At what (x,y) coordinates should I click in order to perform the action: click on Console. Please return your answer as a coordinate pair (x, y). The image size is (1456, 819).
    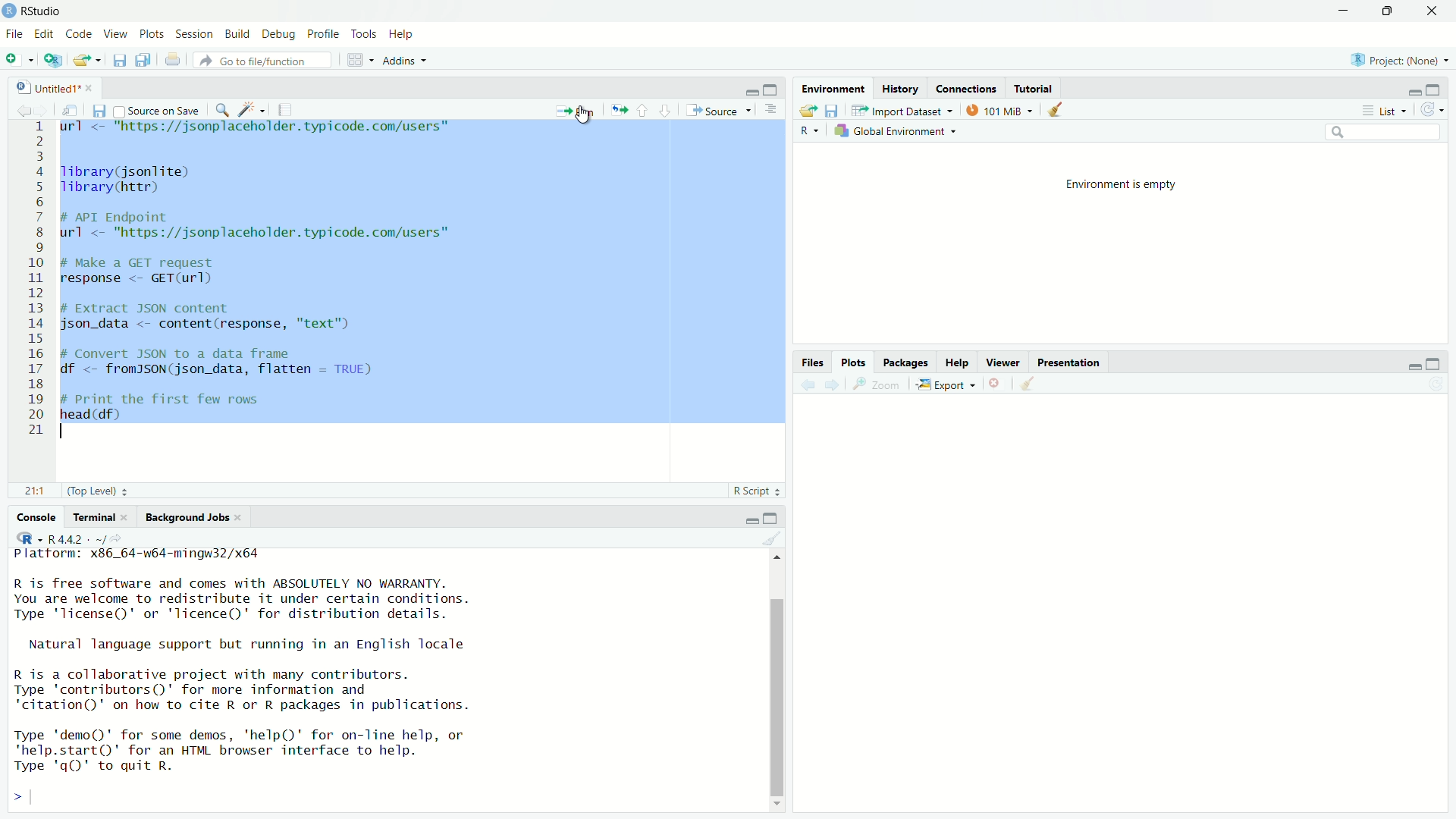
    Looking at the image, I should click on (35, 519).